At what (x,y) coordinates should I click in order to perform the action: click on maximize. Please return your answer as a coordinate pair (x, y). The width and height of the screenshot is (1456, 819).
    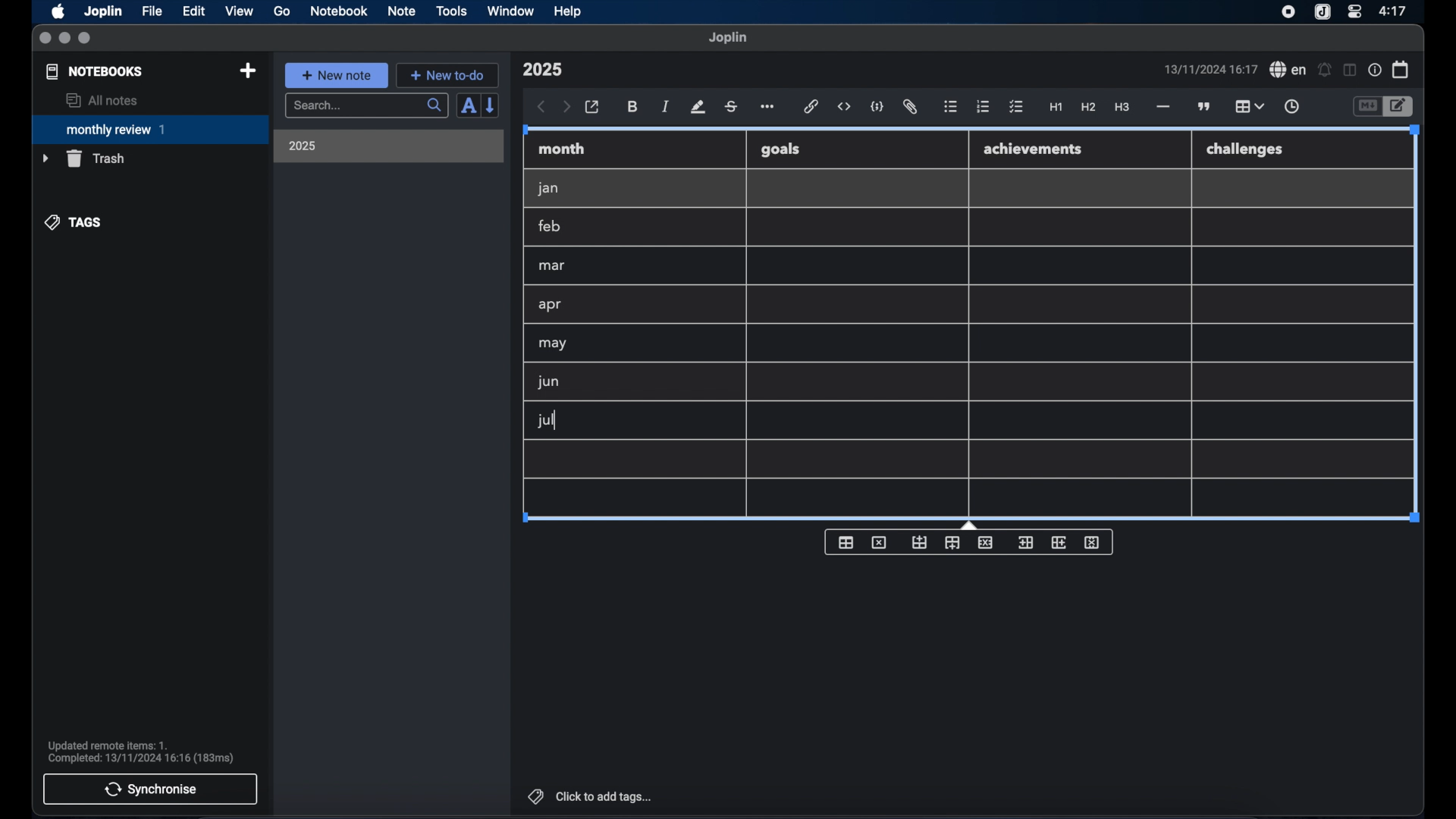
    Looking at the image, I should click on (86, 39).